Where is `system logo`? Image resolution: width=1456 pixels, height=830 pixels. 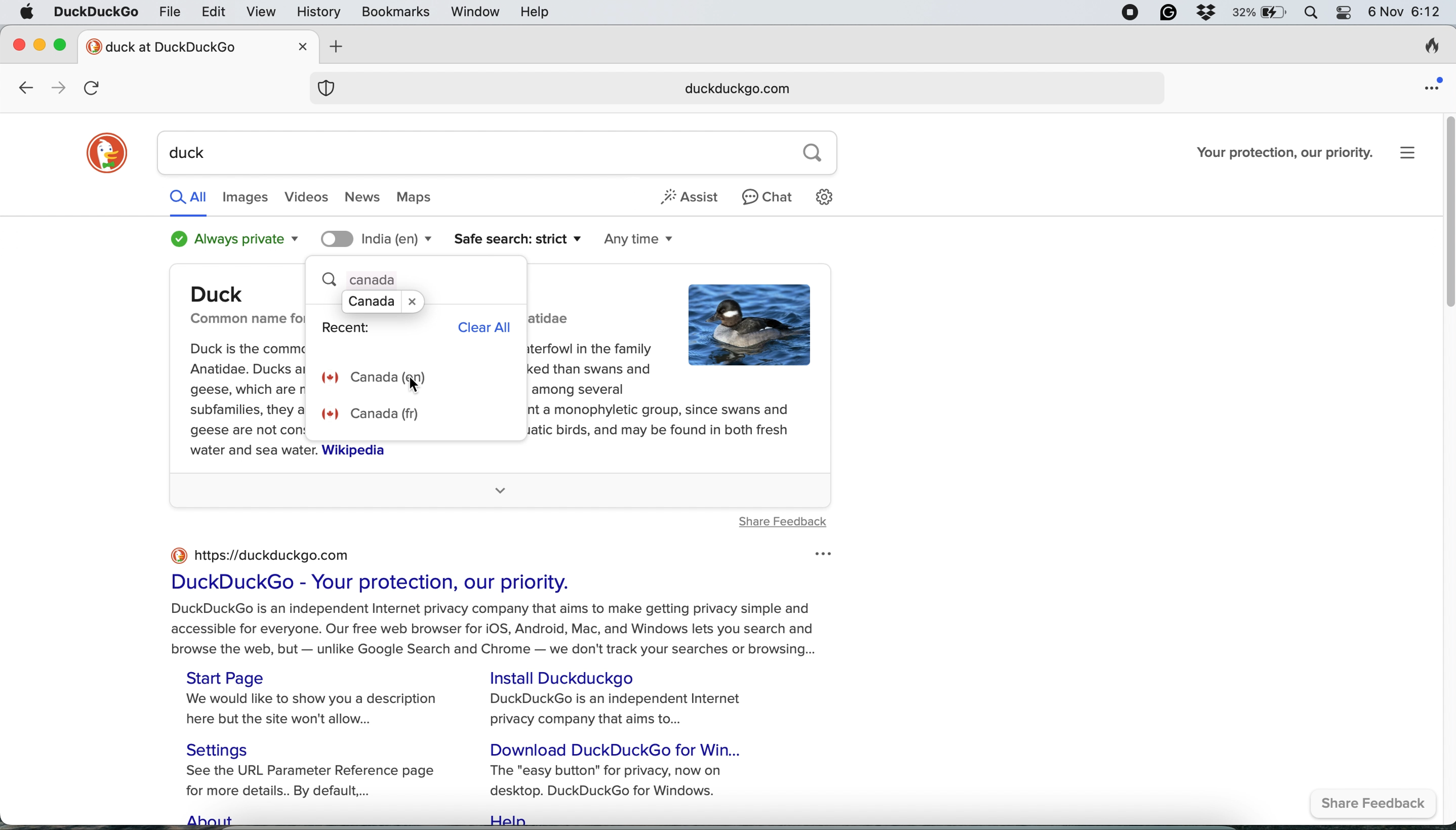
system logo is located at coordinates (26, 13).